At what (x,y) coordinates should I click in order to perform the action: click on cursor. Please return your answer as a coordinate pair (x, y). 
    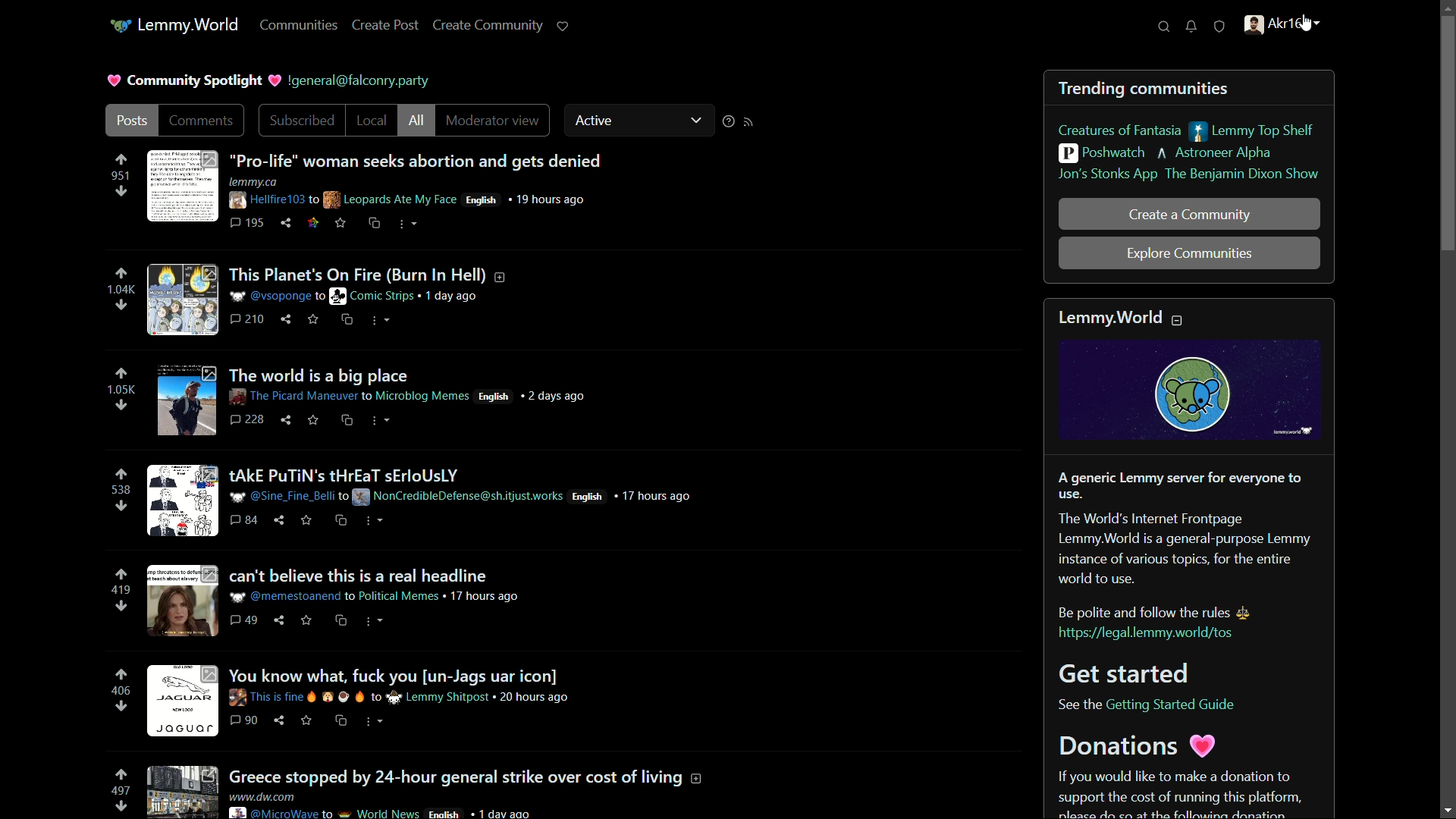
    Looking at the image, I should click on (1305, 24).